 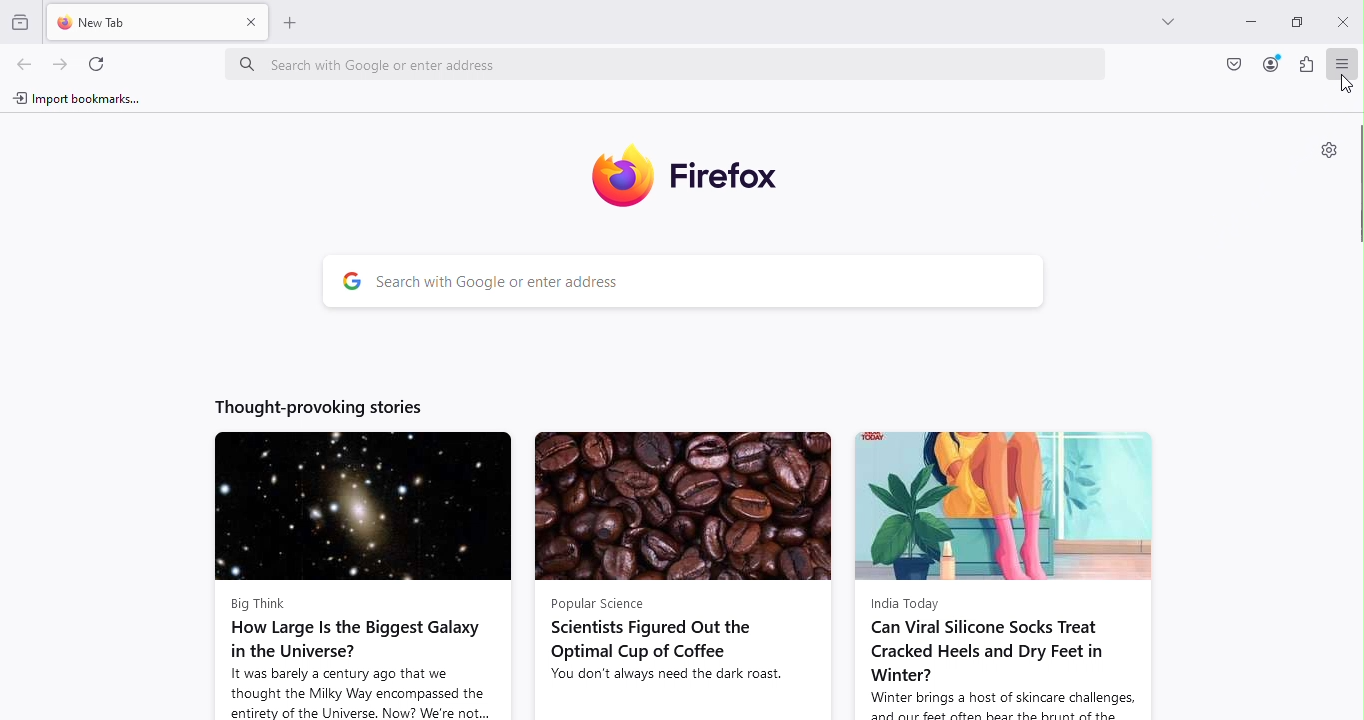 I want to click on View recent browsing across windows and devices, so click(x=22, y=20).